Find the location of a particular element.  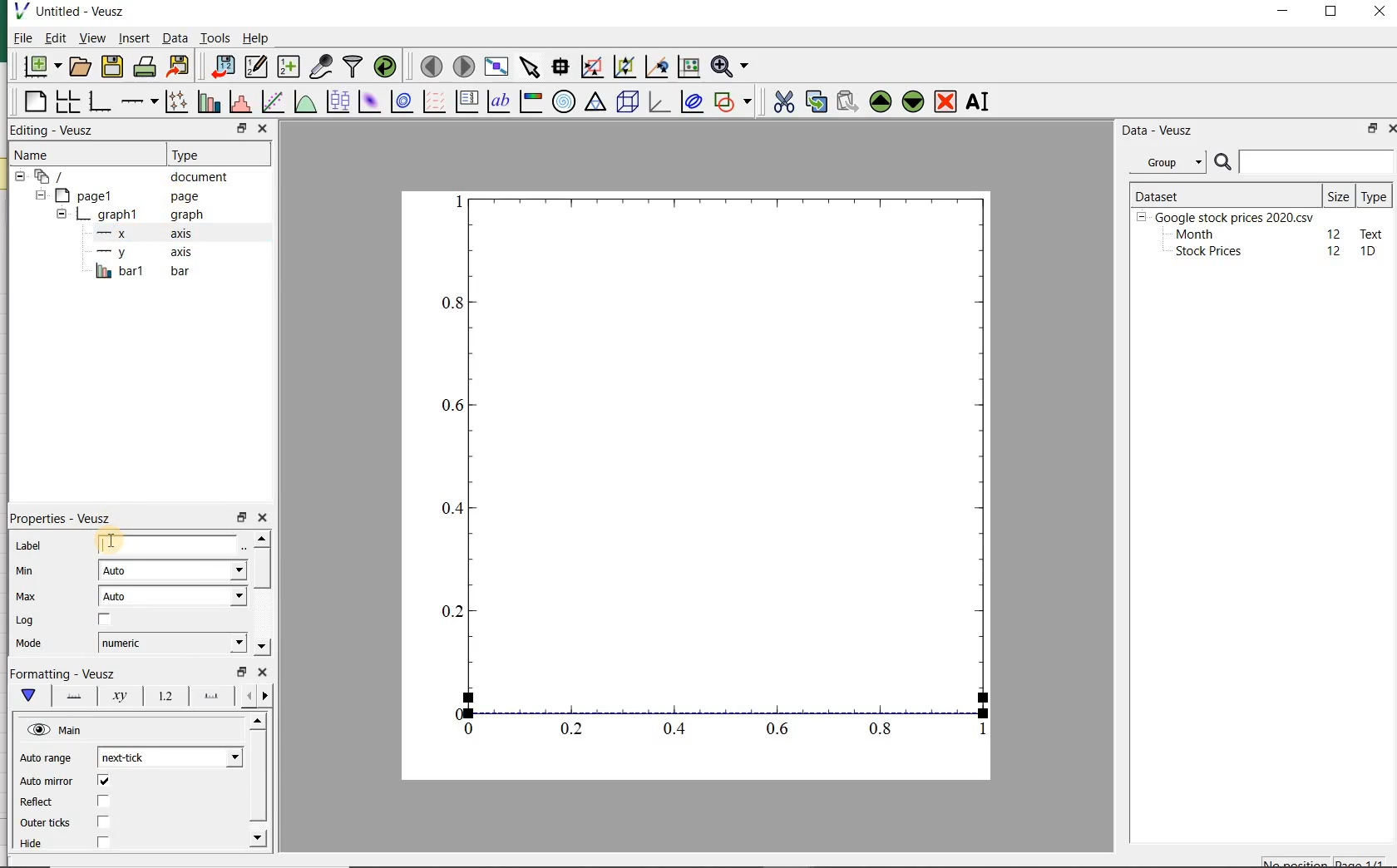

input field is located at coordinates (170, 544).